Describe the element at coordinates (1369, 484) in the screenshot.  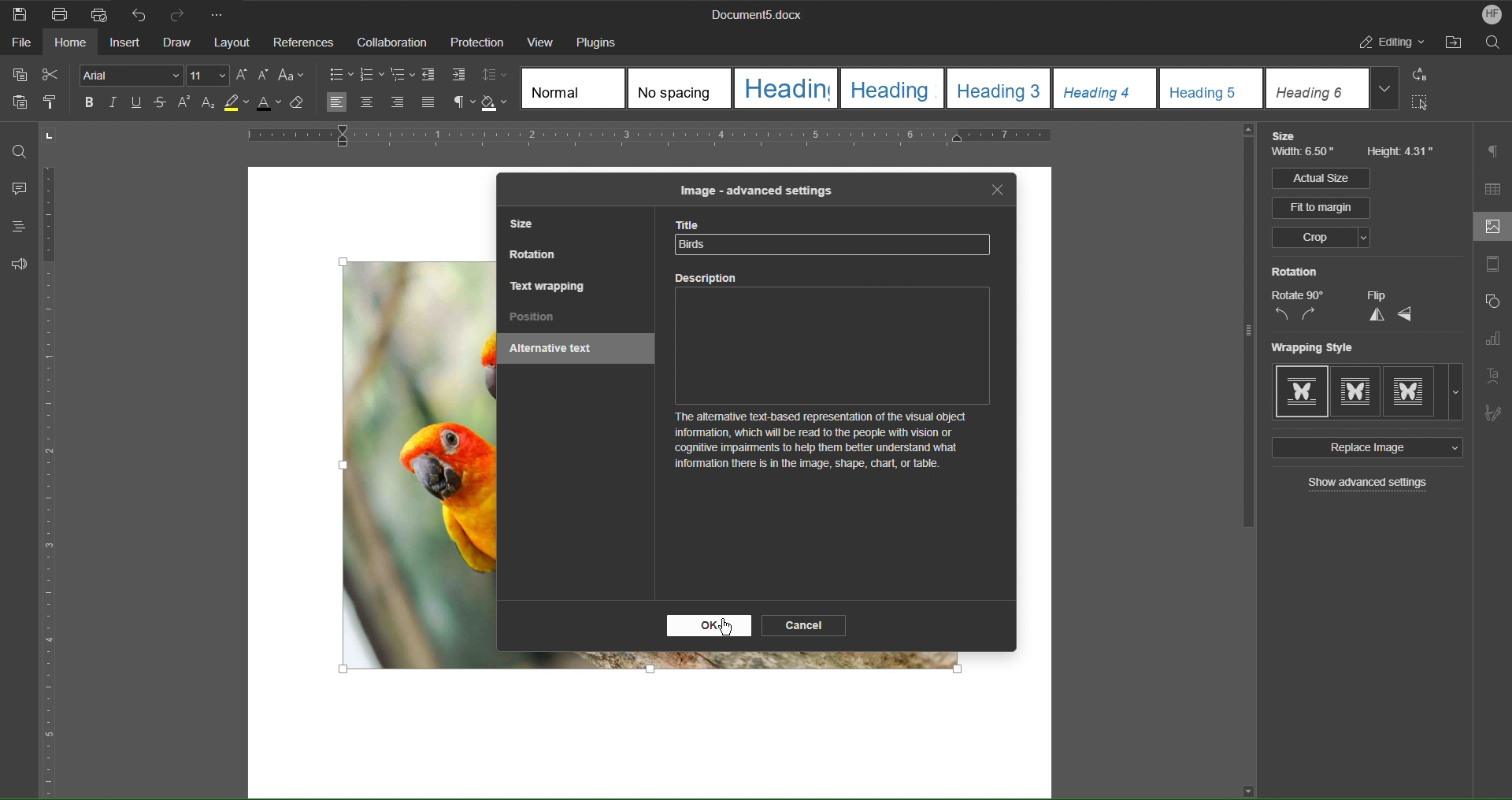
I see `Show advanced settings` at that location.